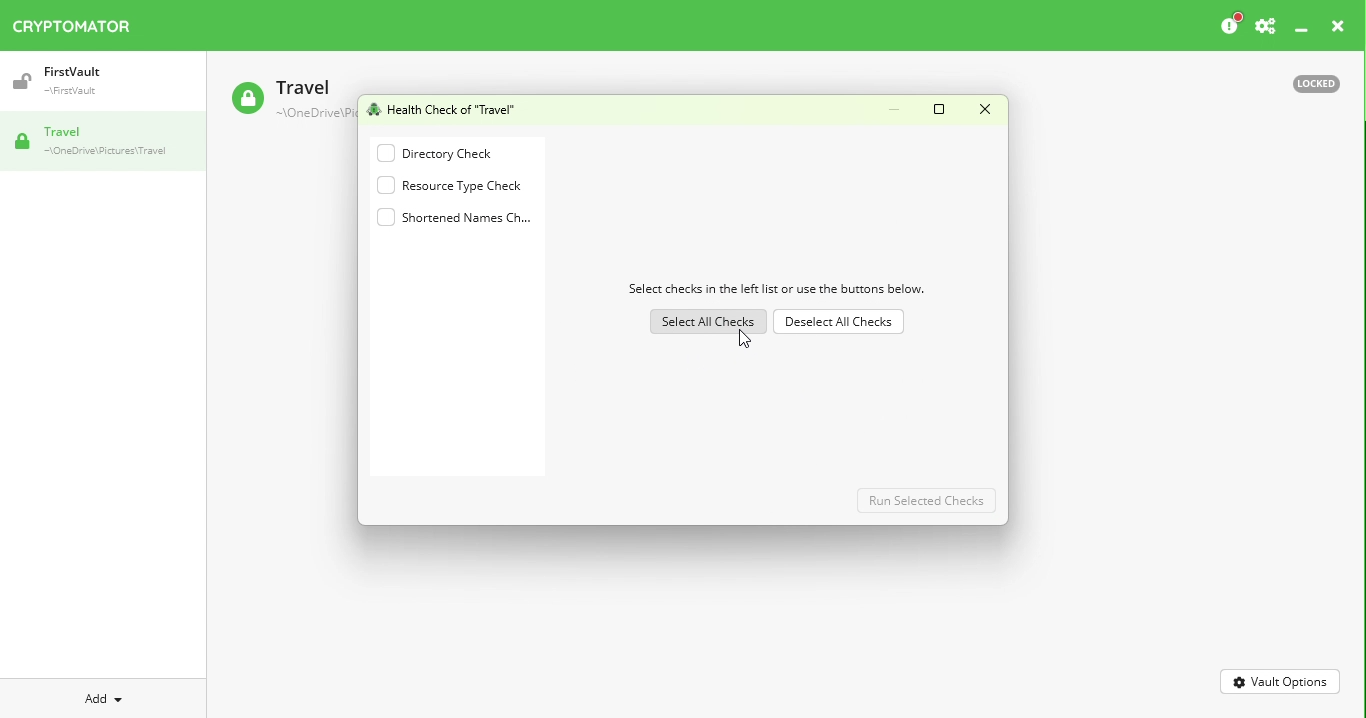 Image resolution: width=1366 pixels, height=718 pixels. Describe the element at coordinates (1311, 85) in the screenshot. I see `Locked` at that location.